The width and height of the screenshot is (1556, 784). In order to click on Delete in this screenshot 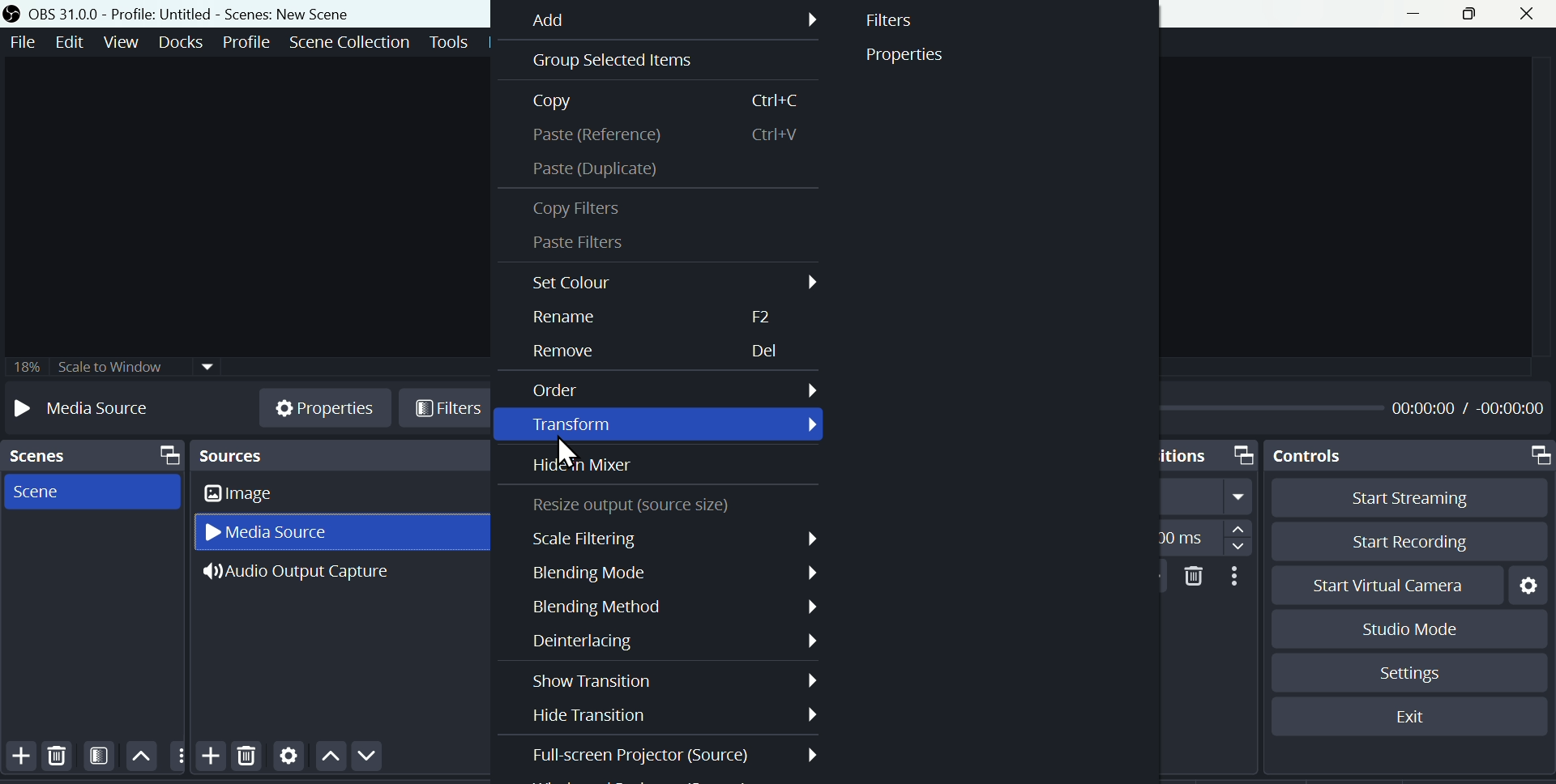, I will do `click(62, 759)`.